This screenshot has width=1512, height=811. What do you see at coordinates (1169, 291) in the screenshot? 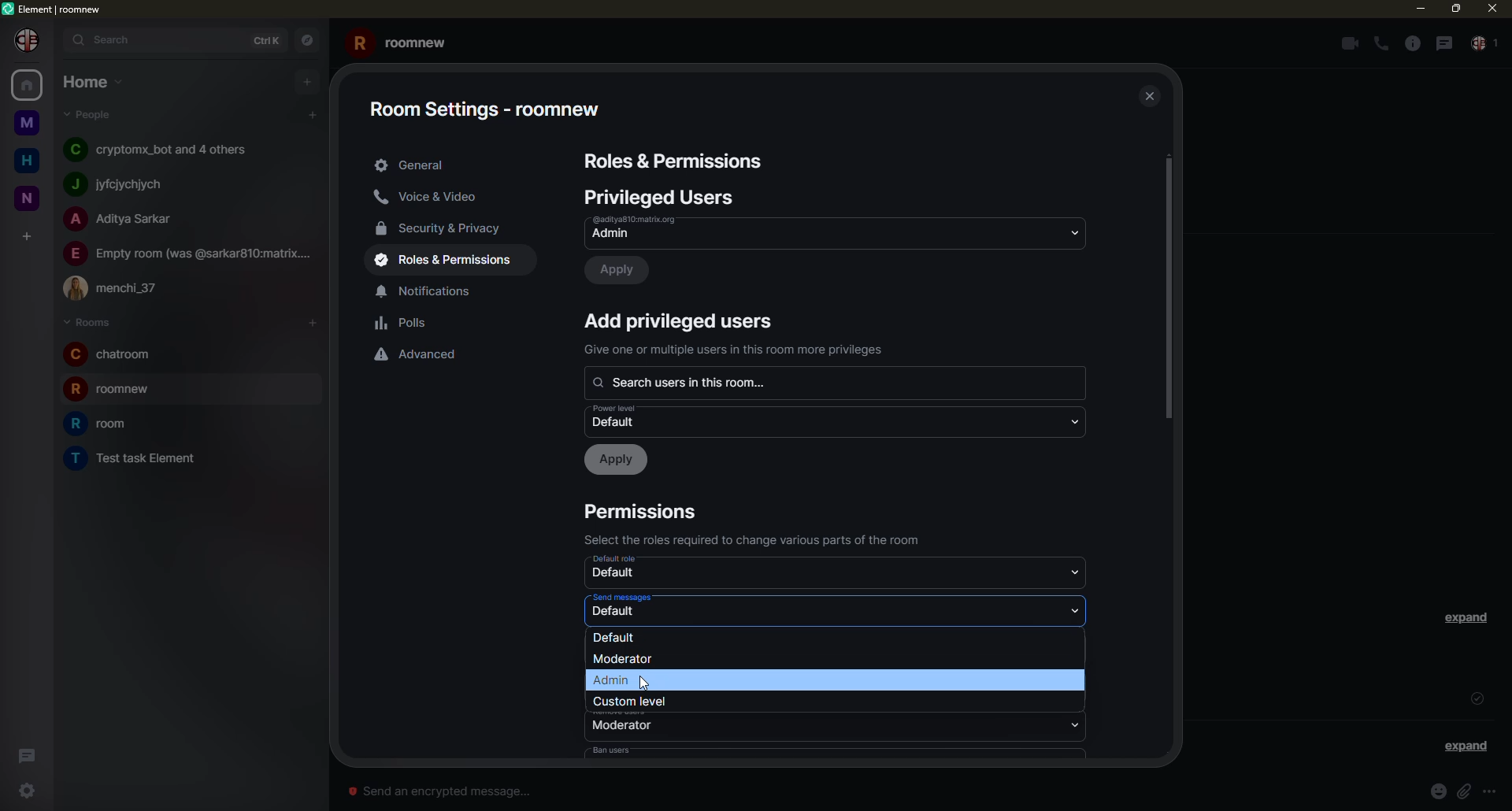
I see `scroll` at bounding box center [1169, 291].